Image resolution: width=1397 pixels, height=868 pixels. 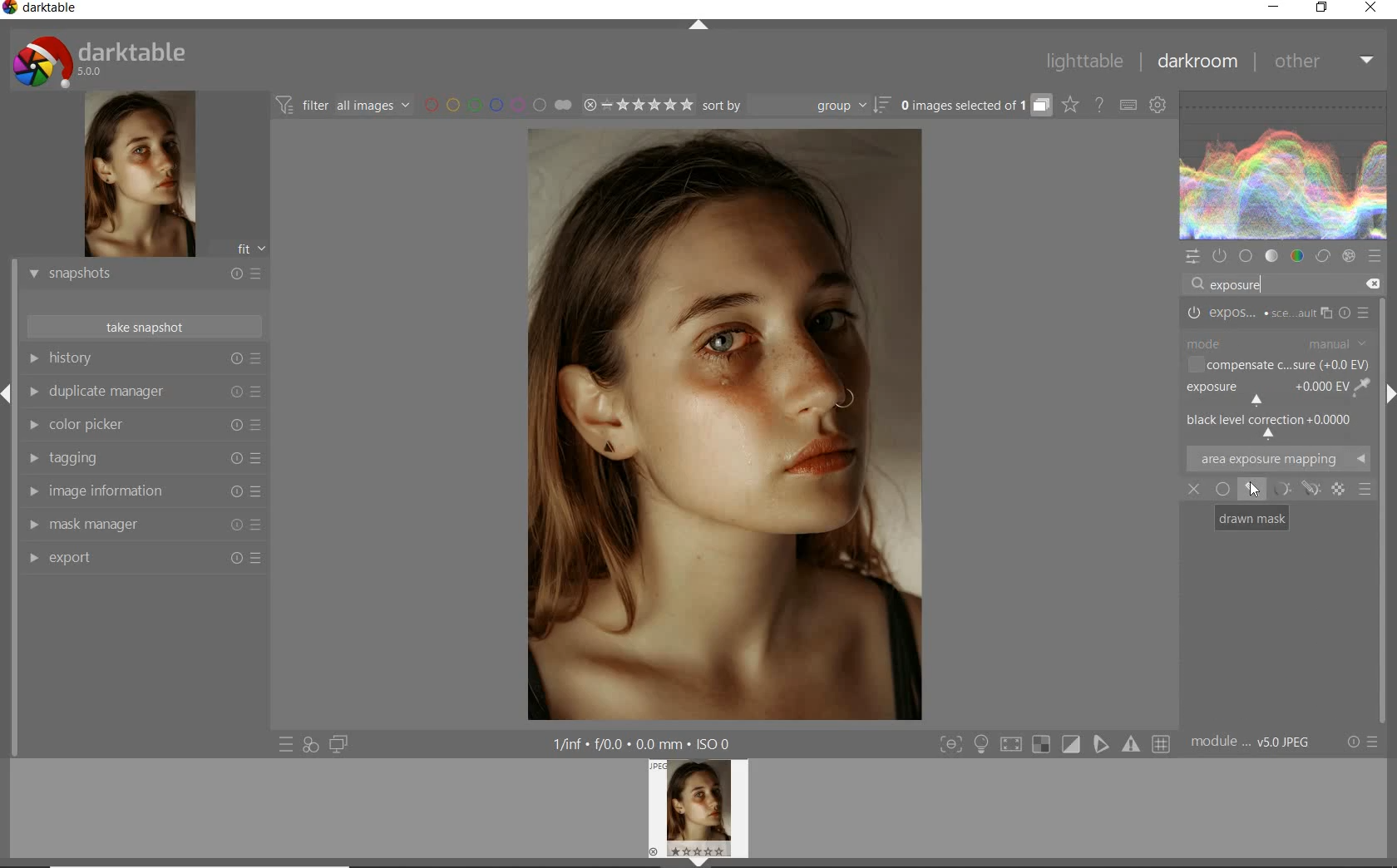 What do you see at coordinates (1222, 491) in the screenshot?
I see `UNIFORMLY` at bounding box center [1222, 491].